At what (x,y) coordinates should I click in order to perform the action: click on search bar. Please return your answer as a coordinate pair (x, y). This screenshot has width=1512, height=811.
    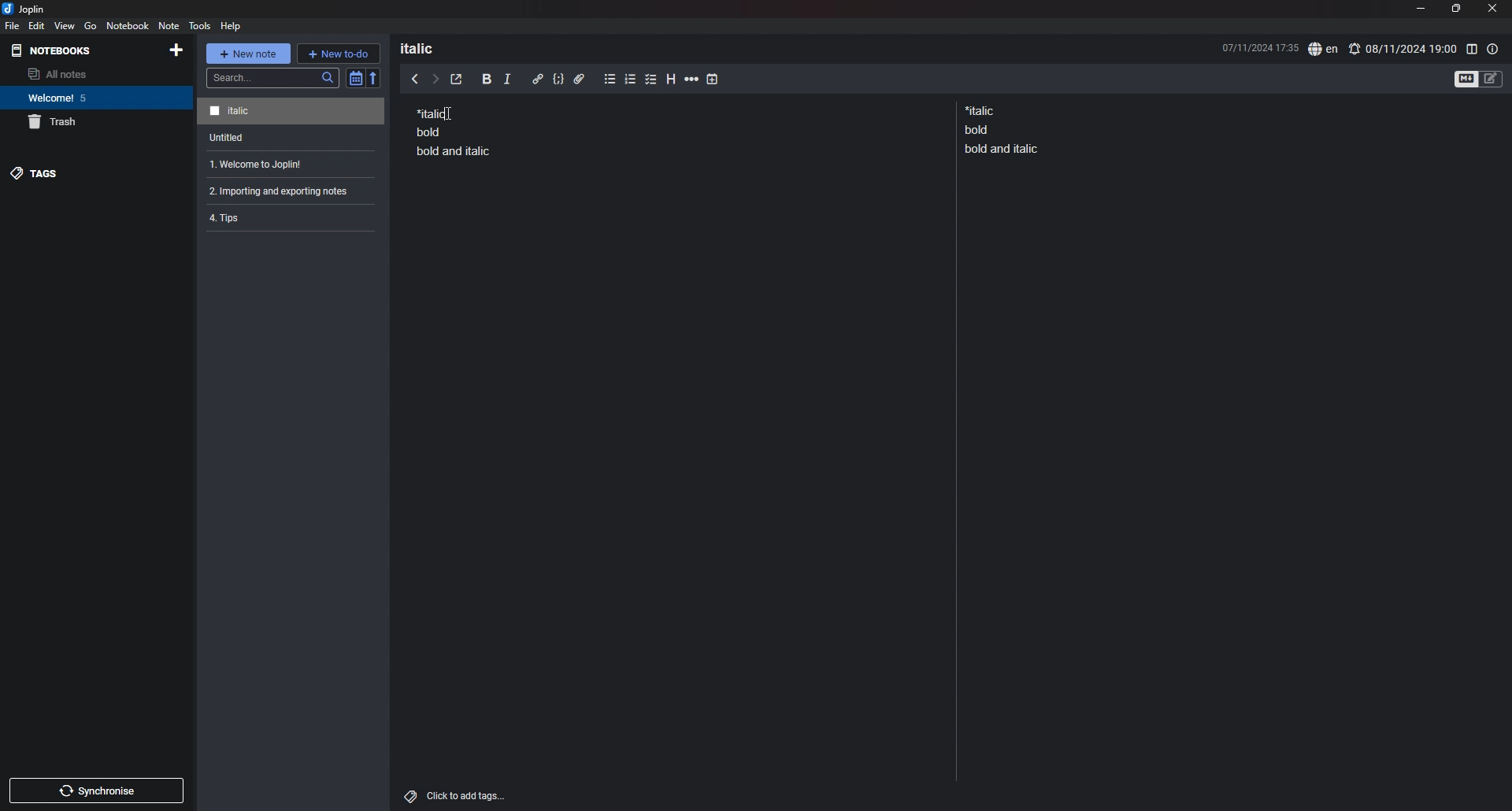
    Looking at the image, I should click on (273, 78).